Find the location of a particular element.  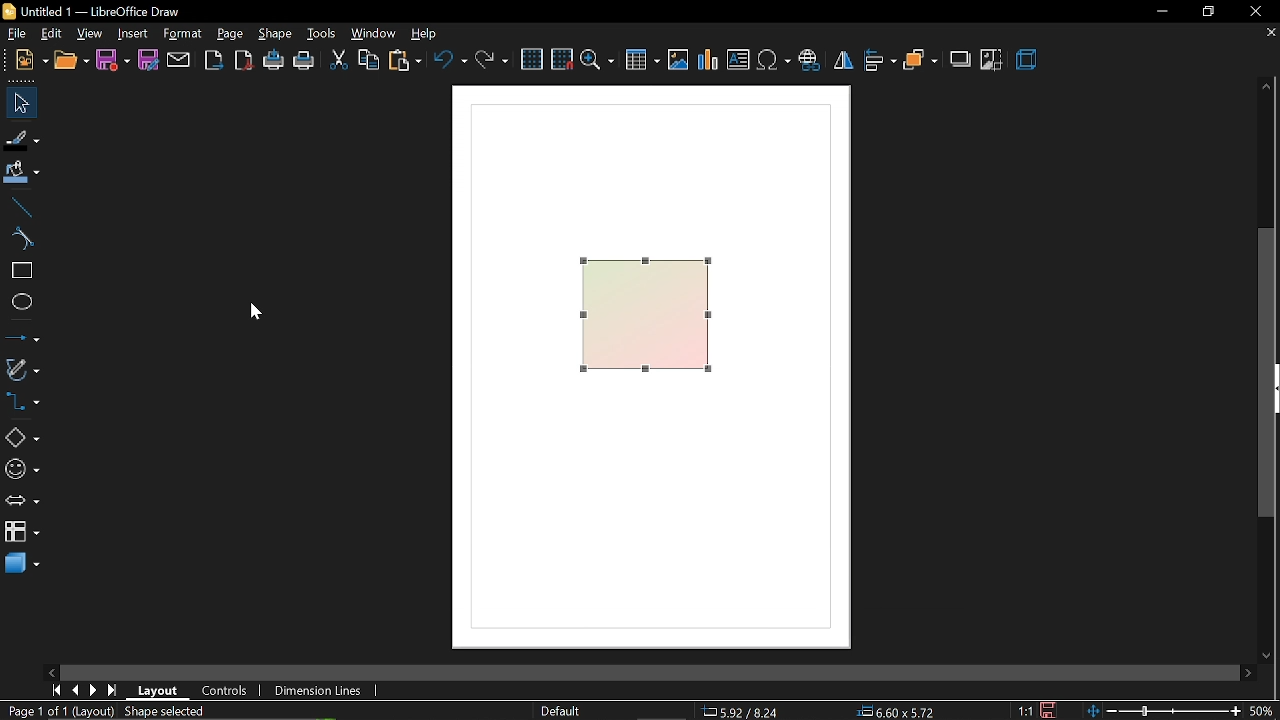

rectangle is located at coordinates (19, 271).